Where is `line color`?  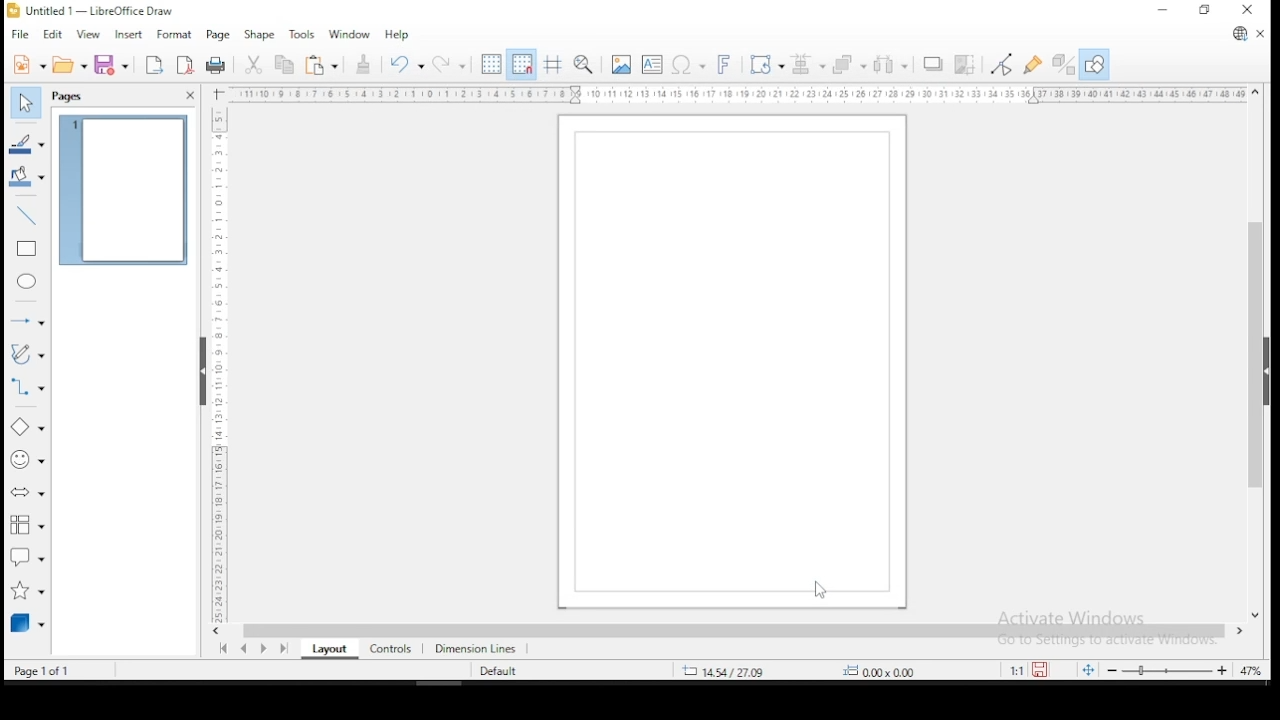
line color is located at coordinates (26, 142).